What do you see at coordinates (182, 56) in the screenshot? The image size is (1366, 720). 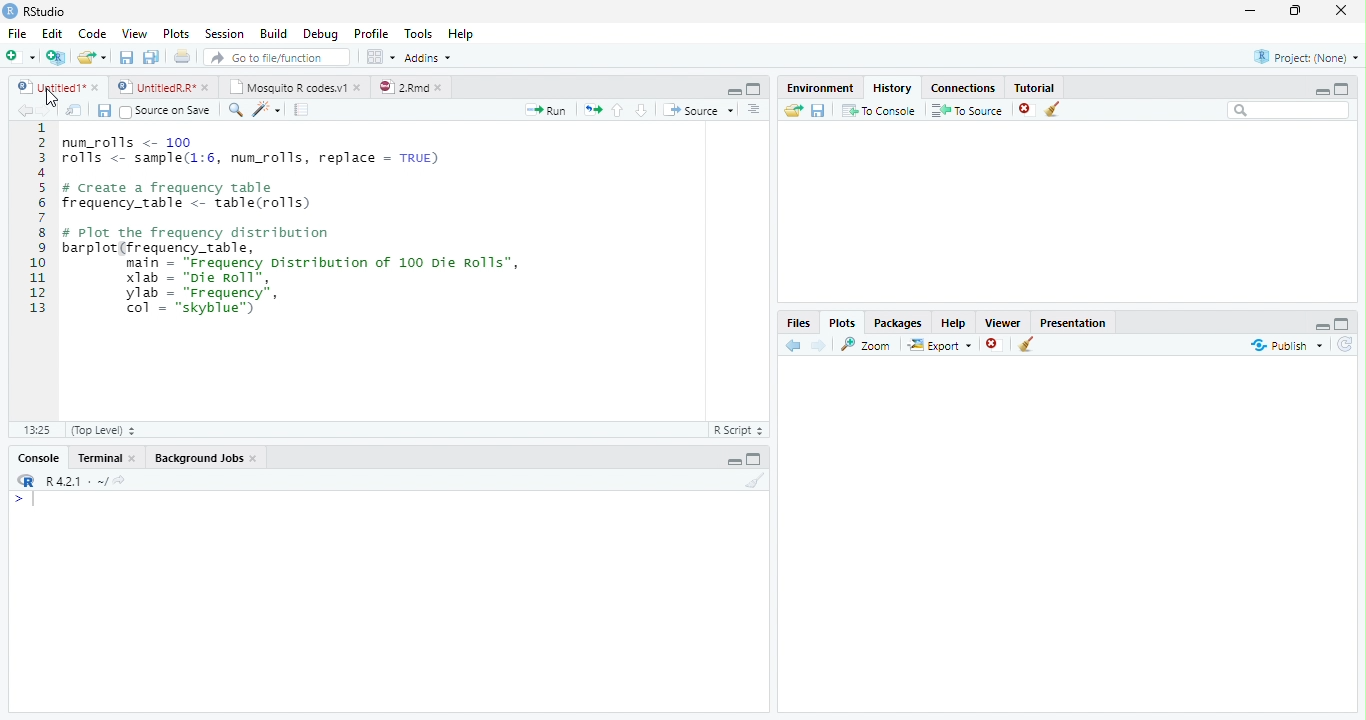 I see `Print` at bounding box center [182, 56].